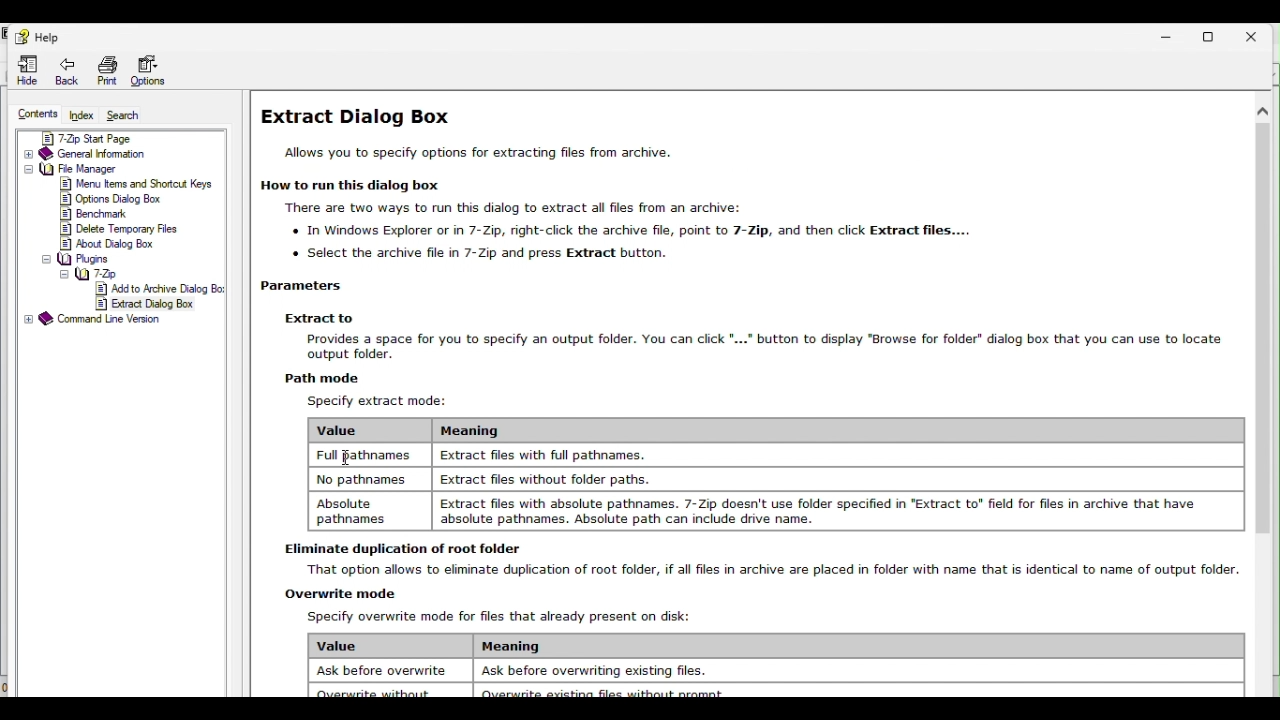 The width and height of the screenshot is (1280, 720). Describe the element at coordinates (387, 672) in the screenshot. I see `ask before` at that location.